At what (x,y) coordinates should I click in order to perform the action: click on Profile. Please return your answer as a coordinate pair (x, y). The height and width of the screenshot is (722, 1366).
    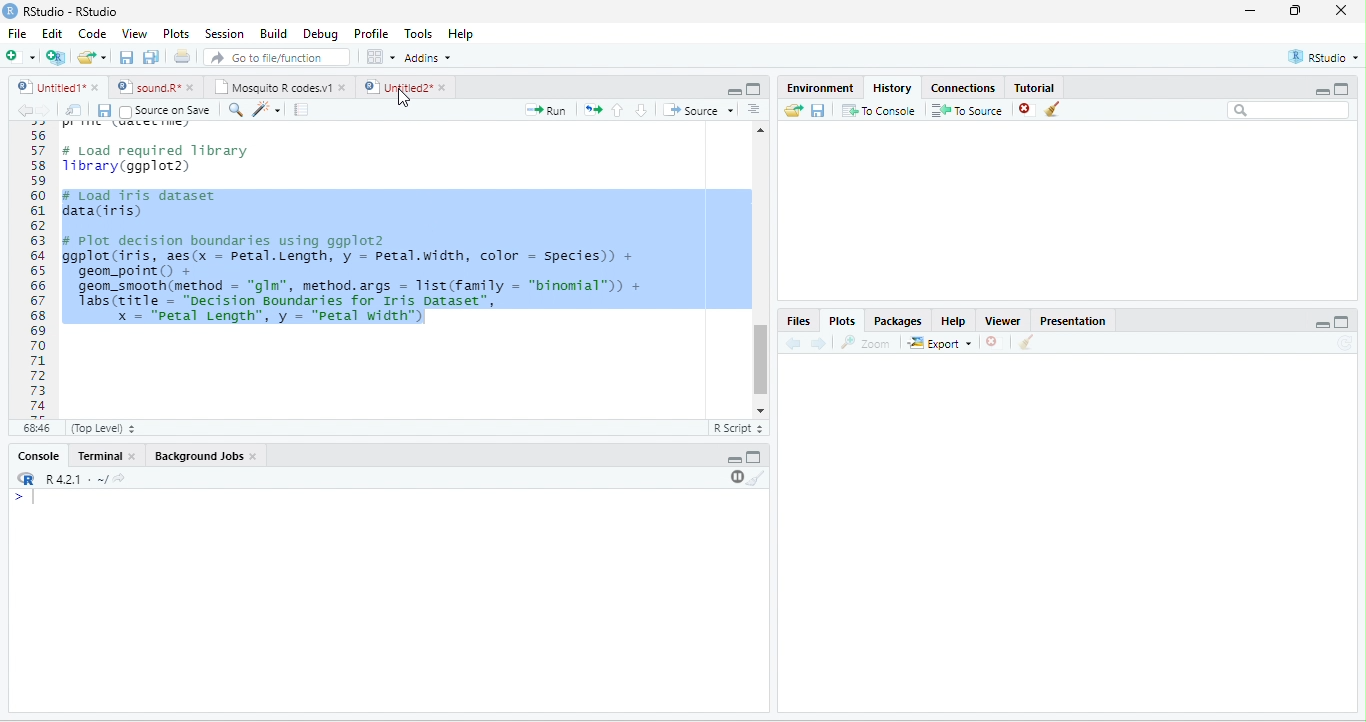
    Looking at the image, I should click on (373, 34).